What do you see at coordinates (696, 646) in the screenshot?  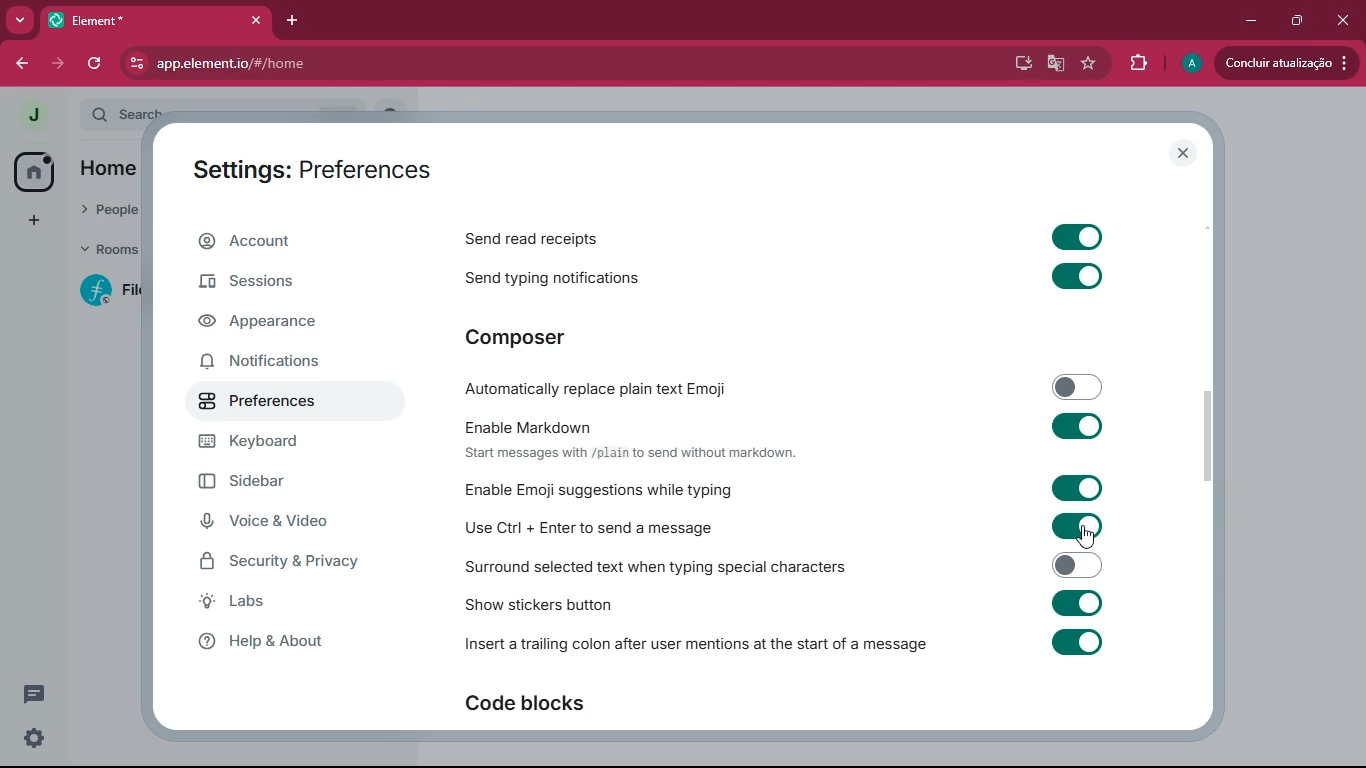 I see `insert trailing colon` at bounding box center [696, 646].